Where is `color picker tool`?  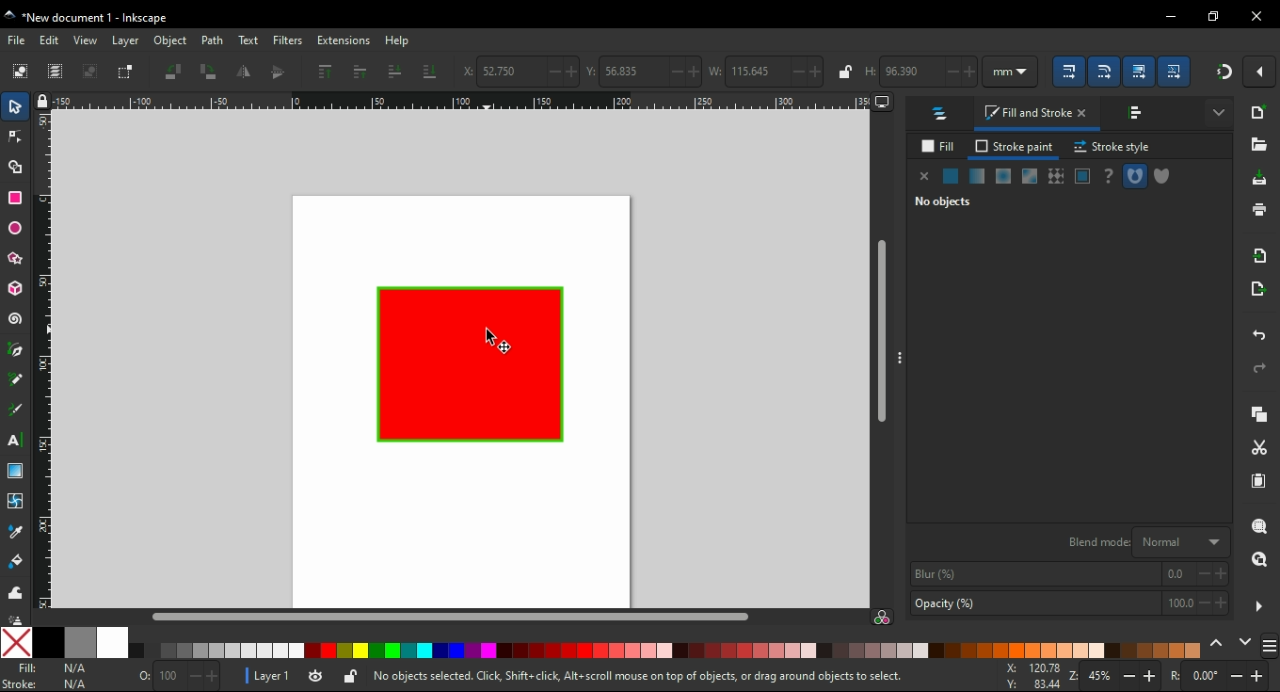 color picker tool is located at coordinates (15, 532).